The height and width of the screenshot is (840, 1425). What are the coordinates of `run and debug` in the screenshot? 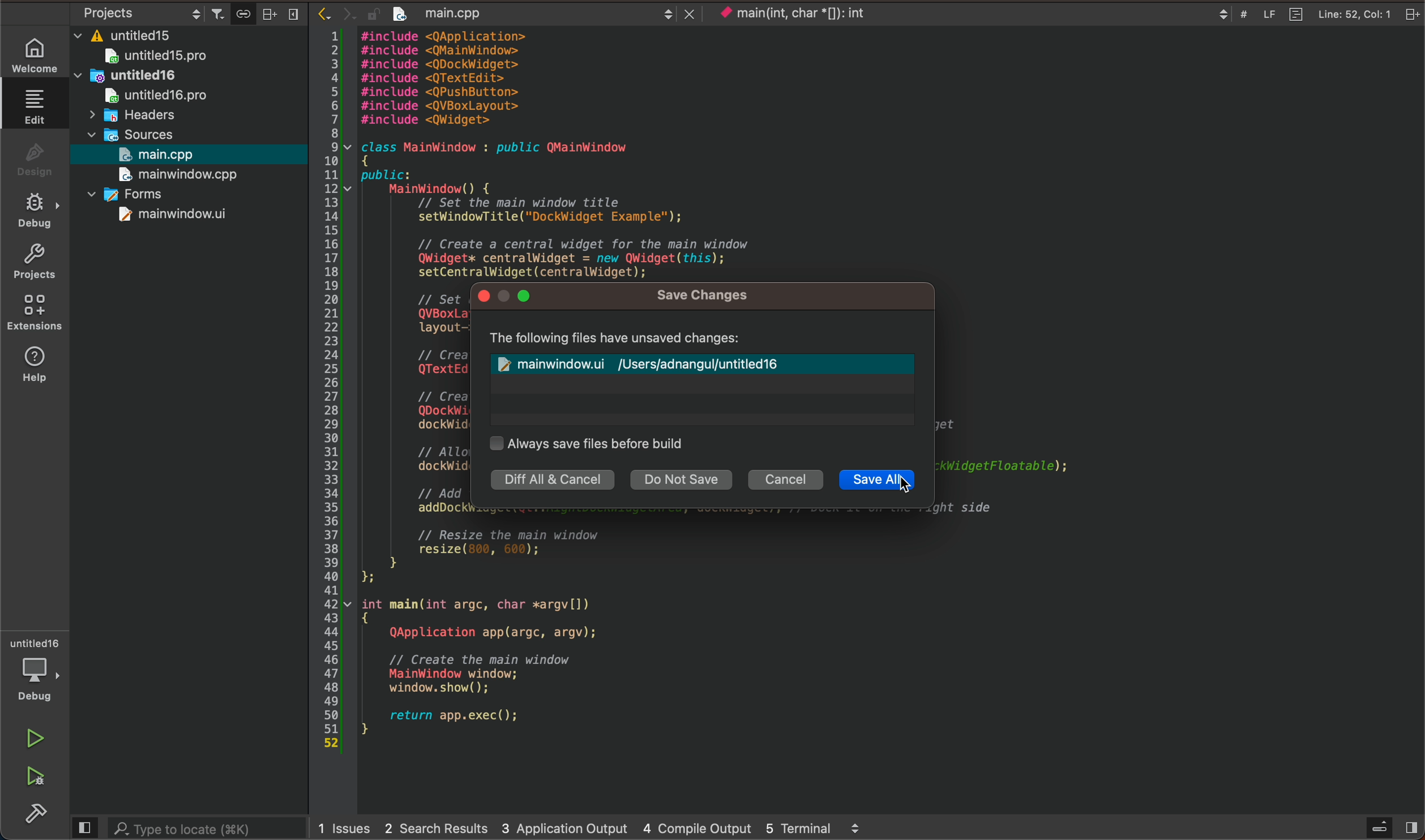 It's located at (38, 776).